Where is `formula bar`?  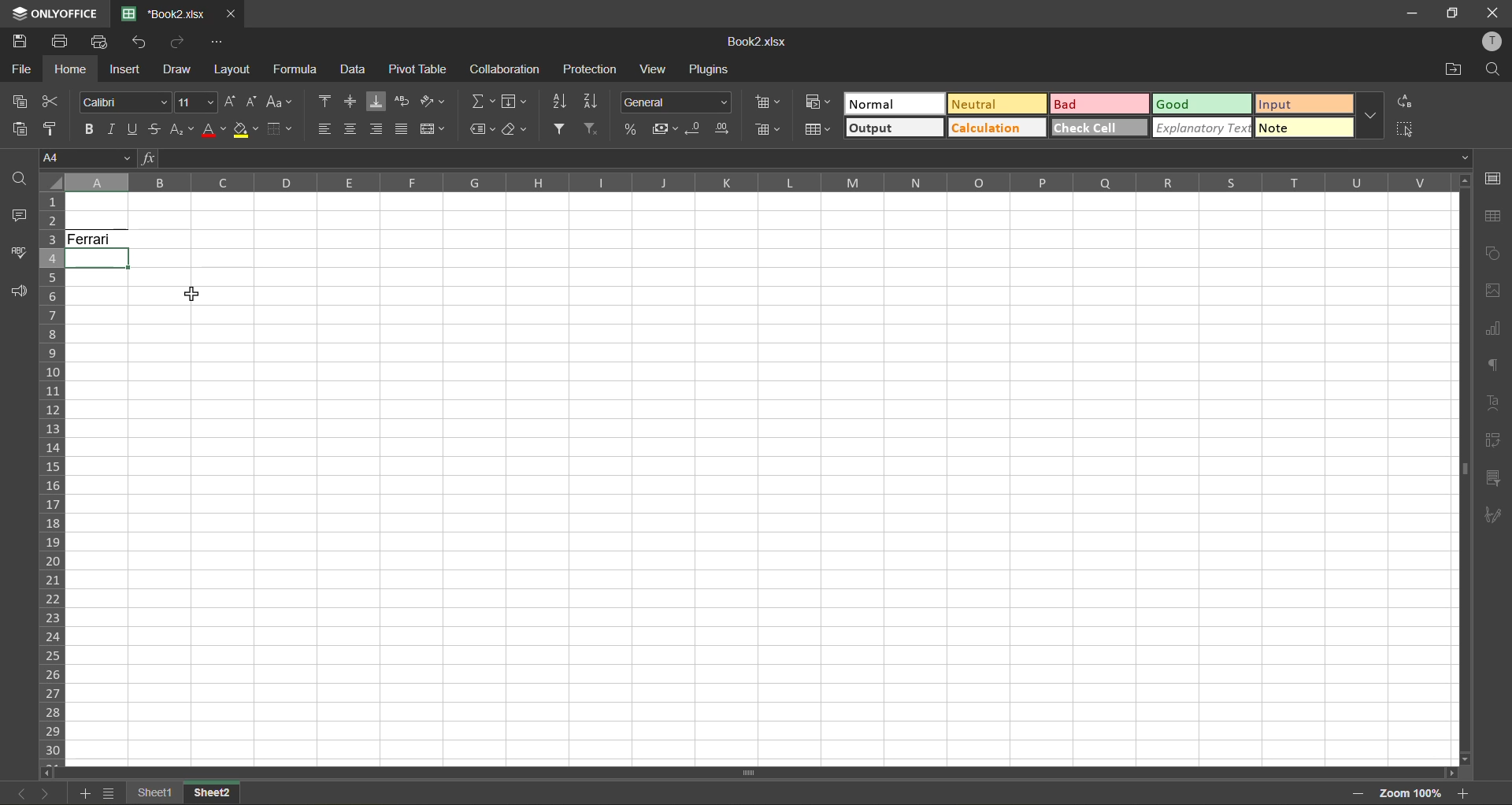
formula bar is located at coordinates (802, 159).